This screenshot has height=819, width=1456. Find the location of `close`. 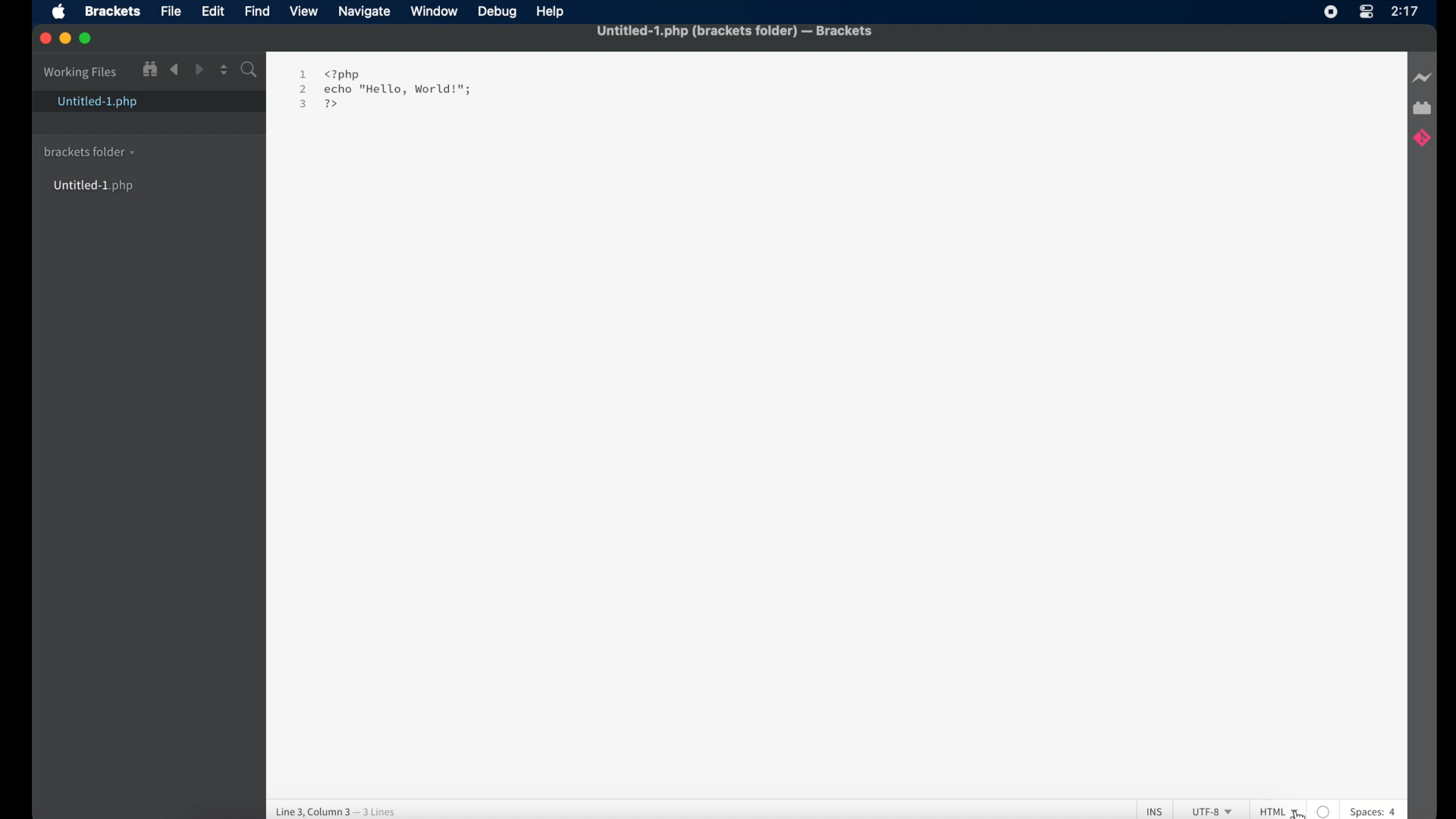

close is located at coordinates (45, 38).